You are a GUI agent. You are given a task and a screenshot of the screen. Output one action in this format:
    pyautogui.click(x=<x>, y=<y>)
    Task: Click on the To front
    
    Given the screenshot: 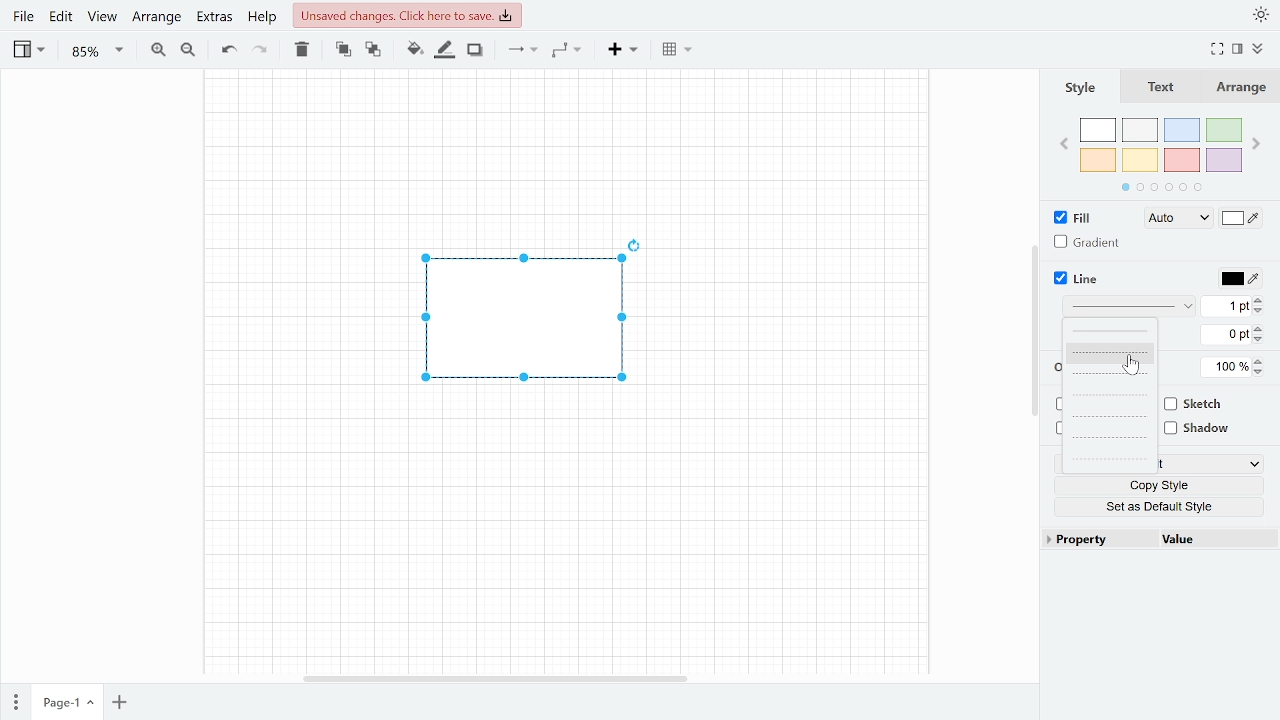 What is the action you would take?
    pyautogui.click(x=343, y=50)
    